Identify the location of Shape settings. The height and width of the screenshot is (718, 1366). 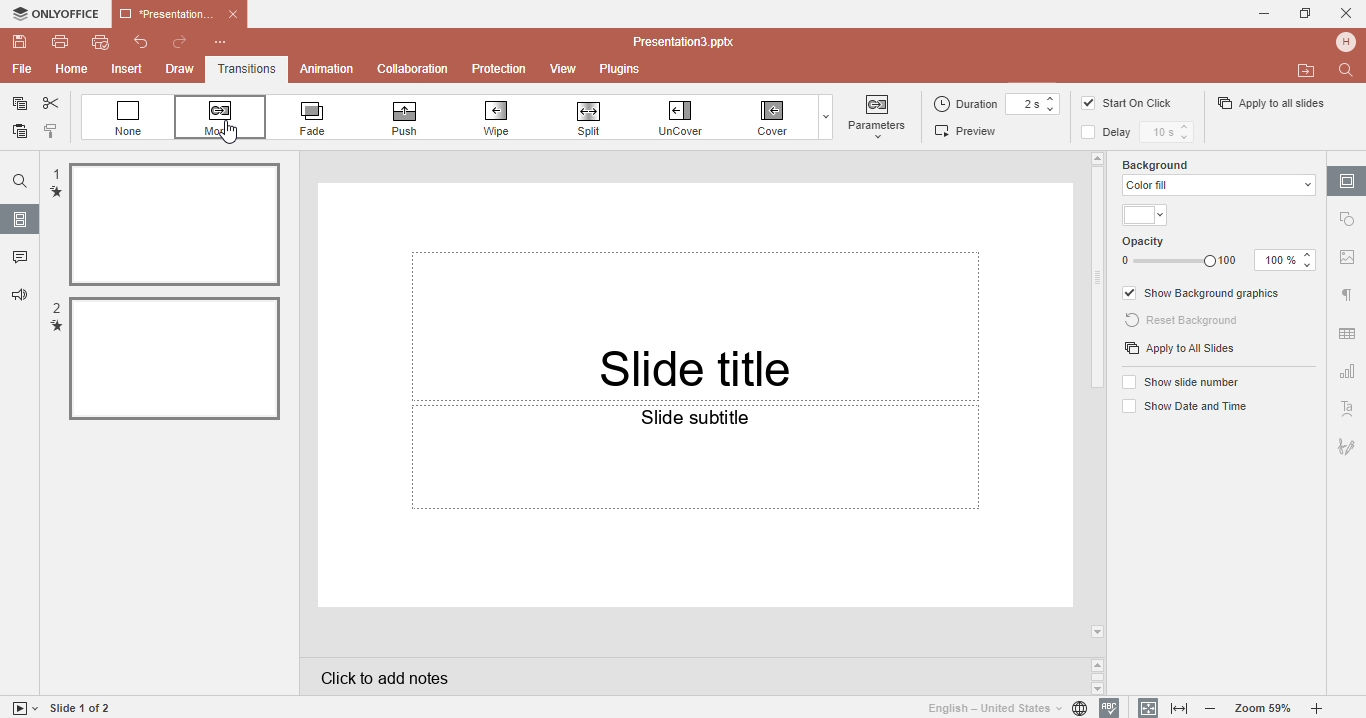
(1349, 219).